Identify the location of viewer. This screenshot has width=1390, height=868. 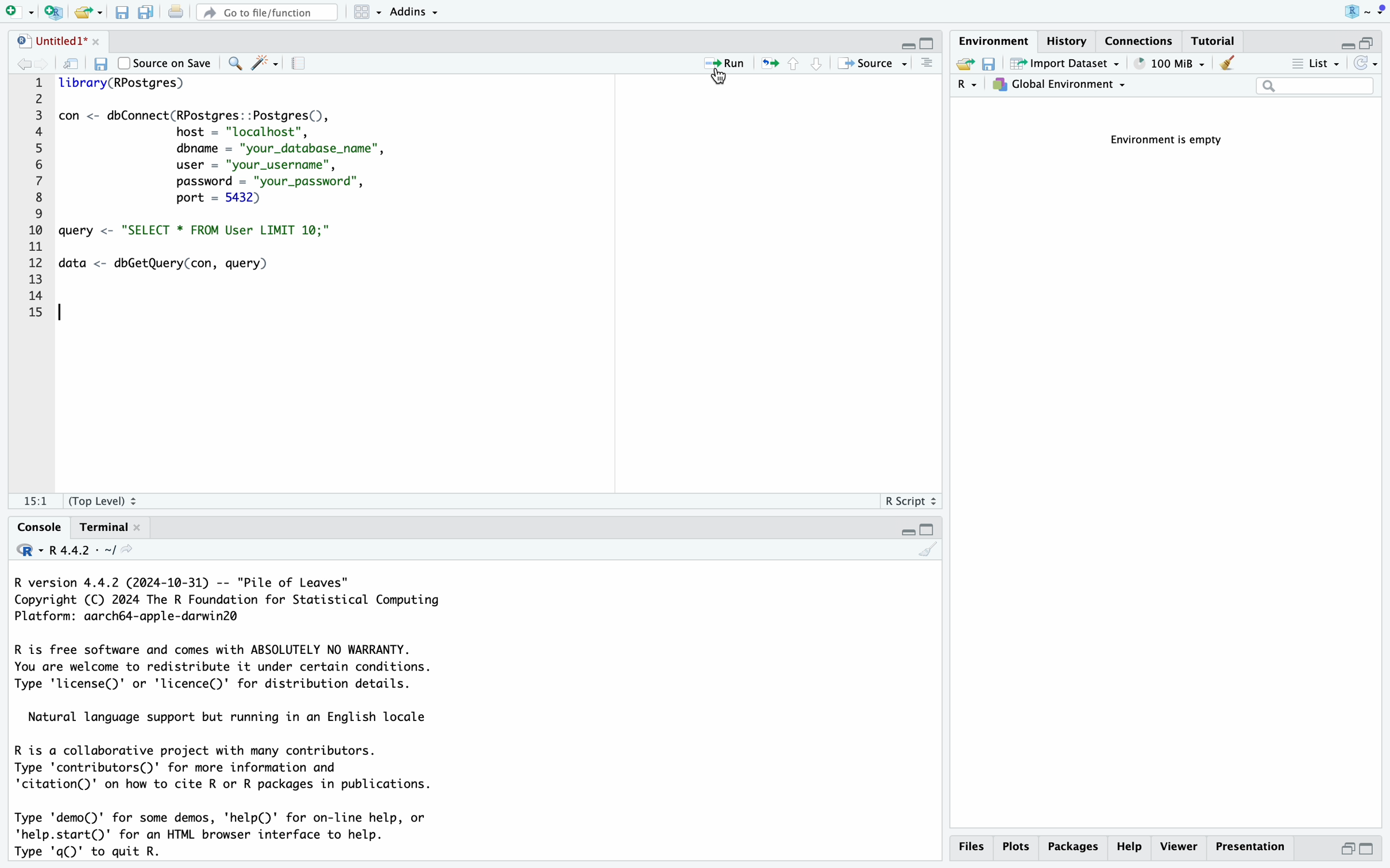
(1178, 847).